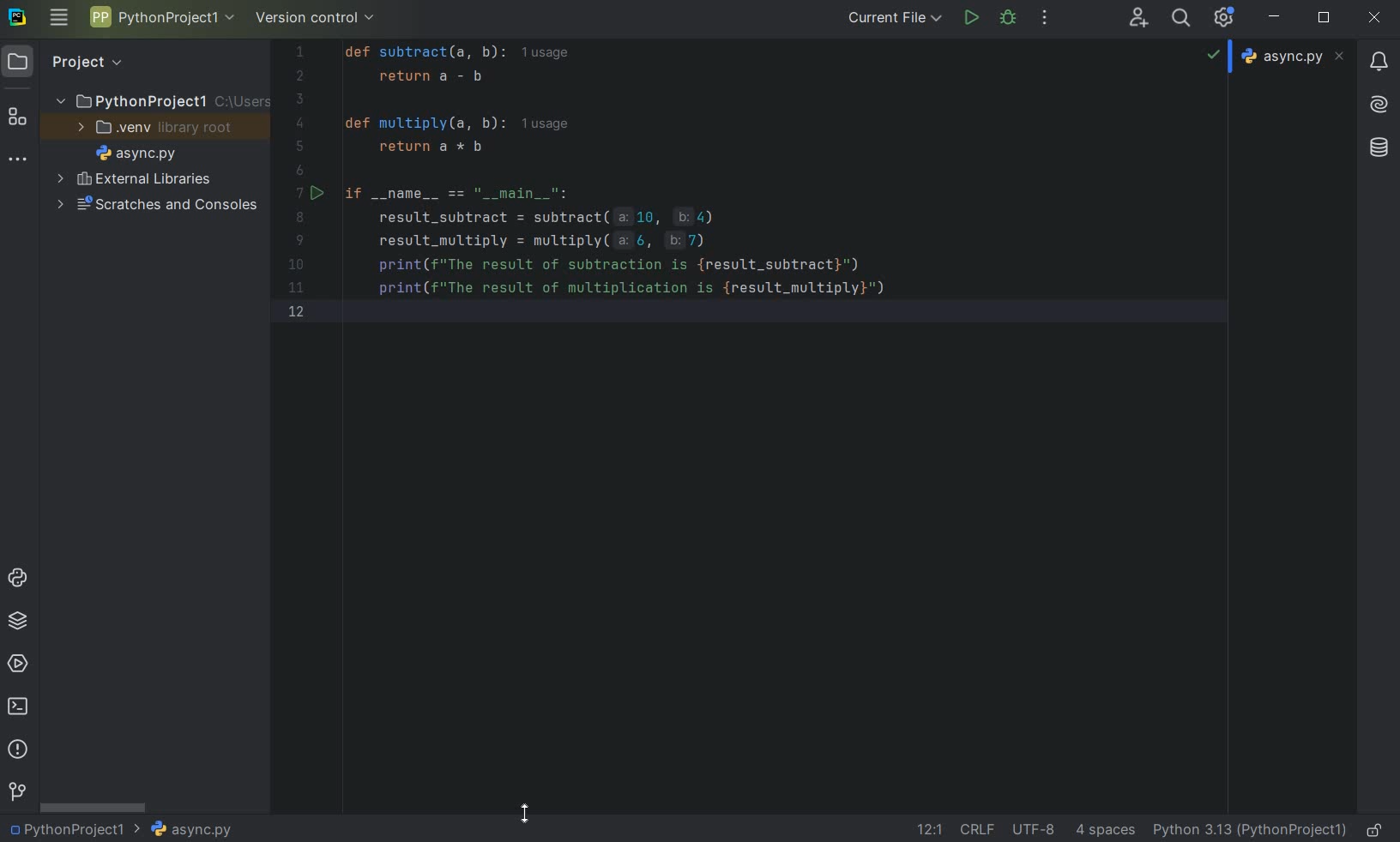 Image resolution: width=1400 pixels, height=842 pixels. What do you see at coordinates (1293, 57) in the screenshot?
I see `file name` at bounding box center [1293, 57].